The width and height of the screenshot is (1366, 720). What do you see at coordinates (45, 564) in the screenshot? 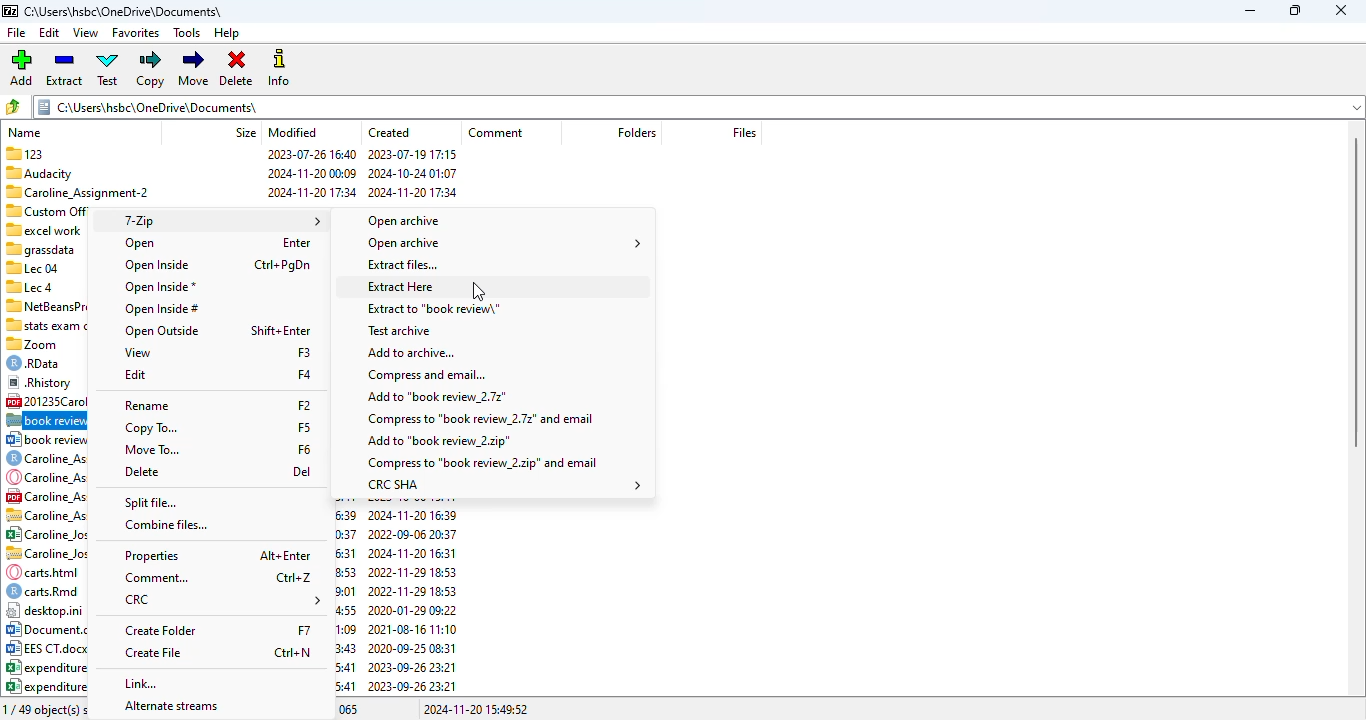
I see `file names` at bounding box center [45, 564].